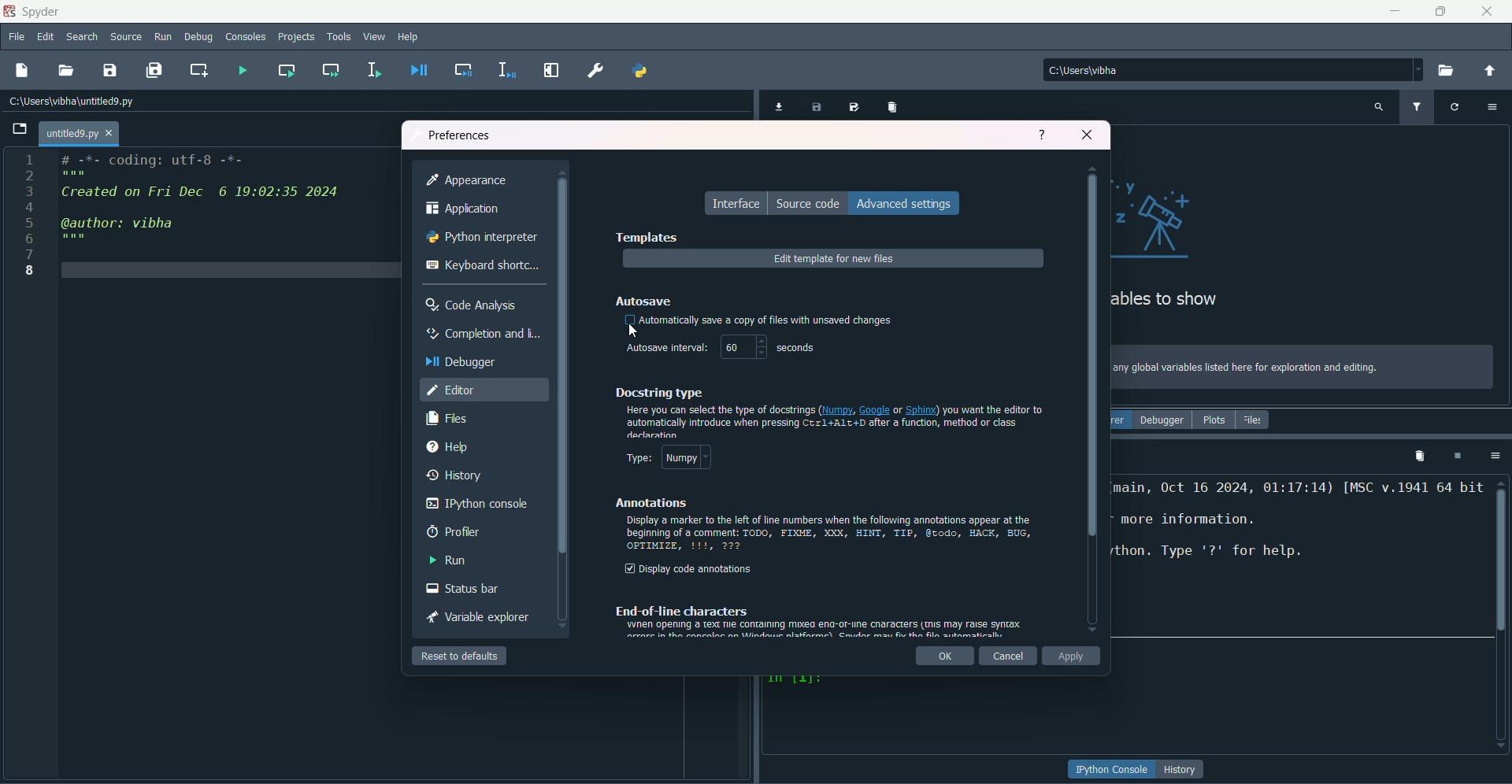 The height and width of the screenshot is (784, 1512). What do you see at coordinates (1254, 420) in the screenshot?
I see `files` at bounding box center [1254, 420].